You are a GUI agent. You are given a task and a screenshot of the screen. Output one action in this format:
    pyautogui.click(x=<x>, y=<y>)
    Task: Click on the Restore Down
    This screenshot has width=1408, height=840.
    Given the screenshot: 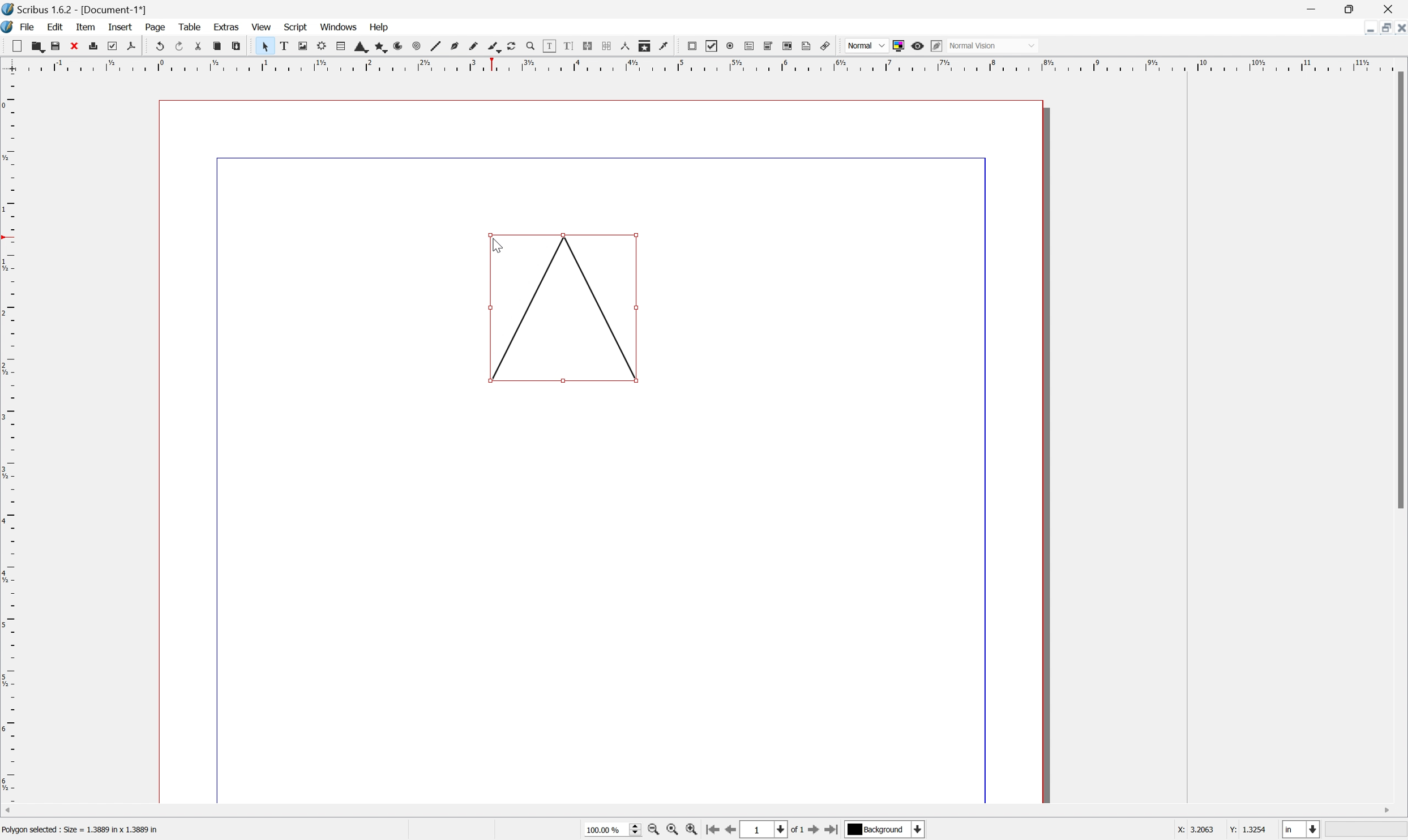 What is the action you would take?
    pyautogui.click(x=1354, y=8)
    